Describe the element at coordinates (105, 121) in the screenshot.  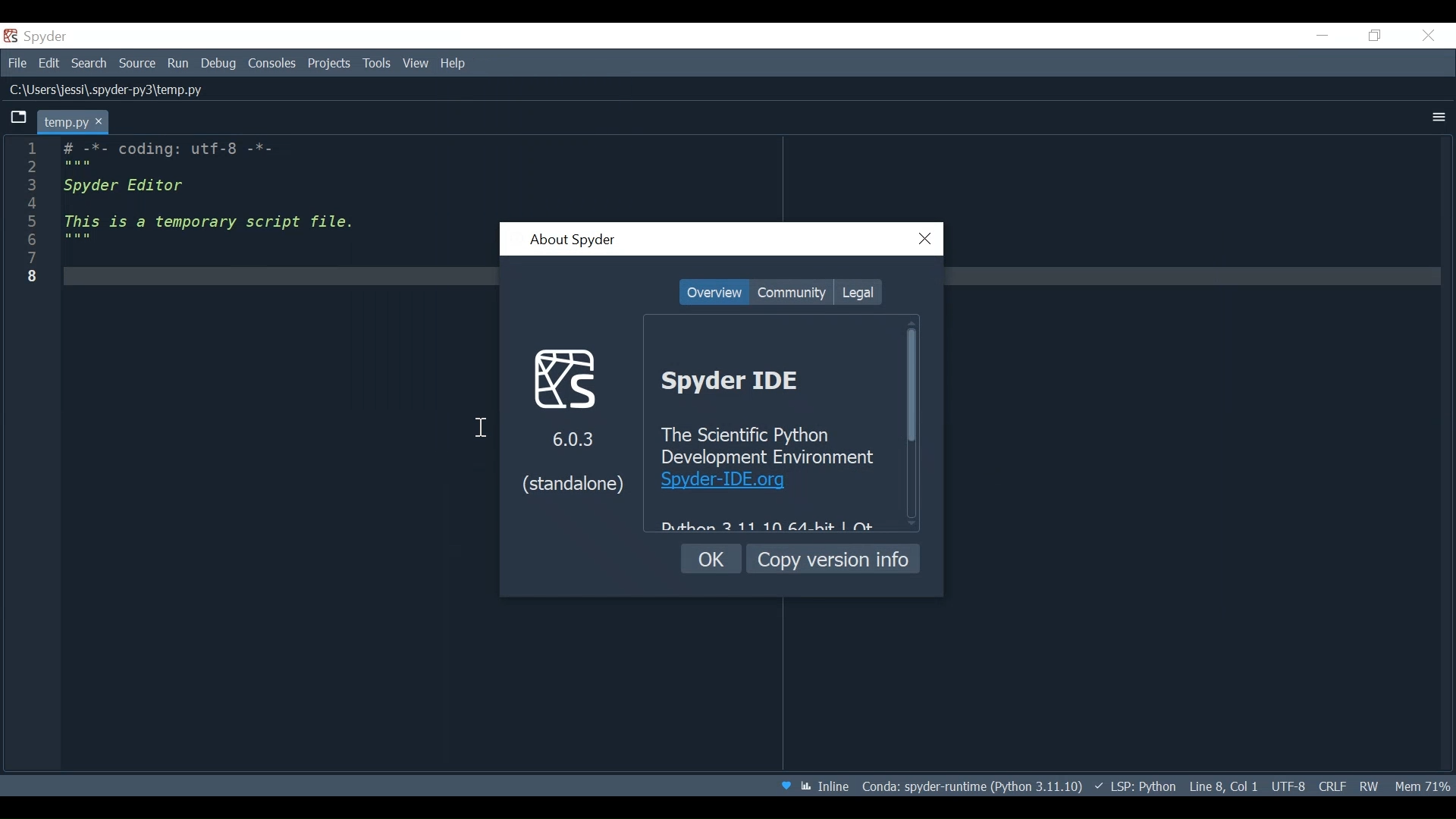
I see `close` at that location.